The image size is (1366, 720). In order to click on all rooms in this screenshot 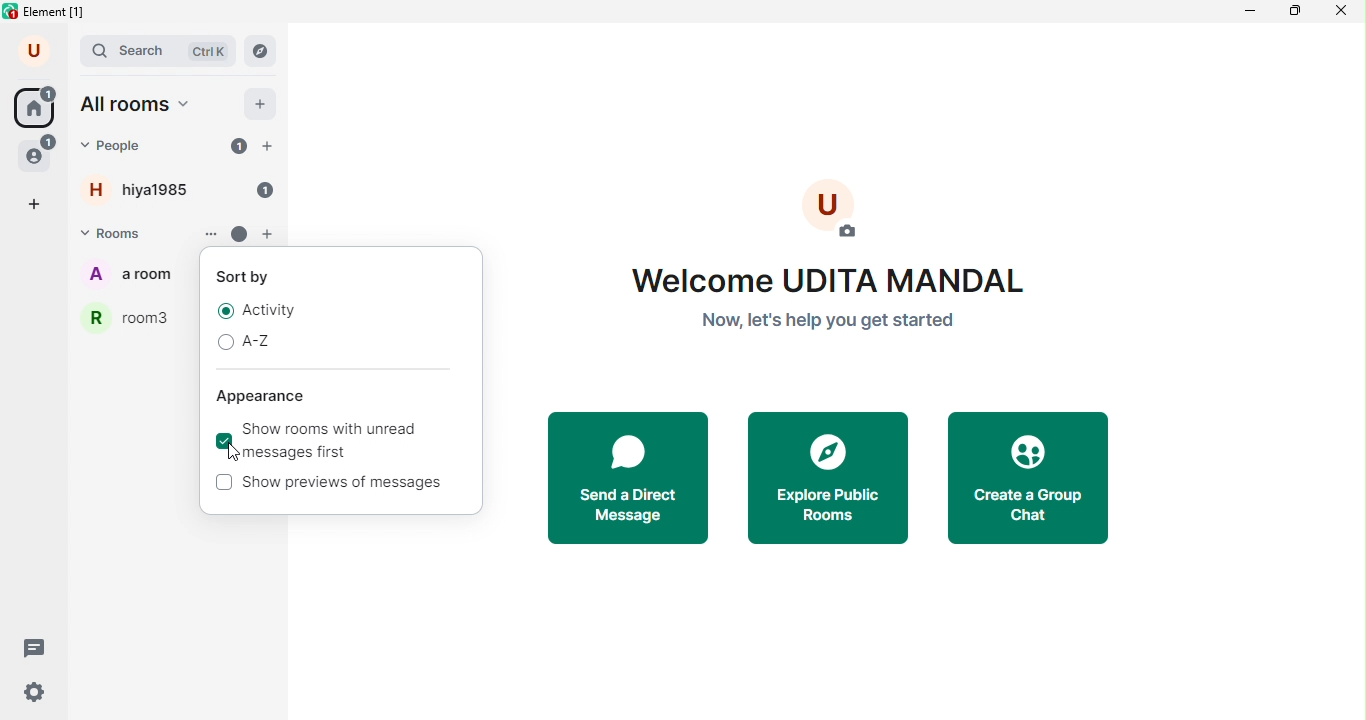, I will do `click(140, 106)`.